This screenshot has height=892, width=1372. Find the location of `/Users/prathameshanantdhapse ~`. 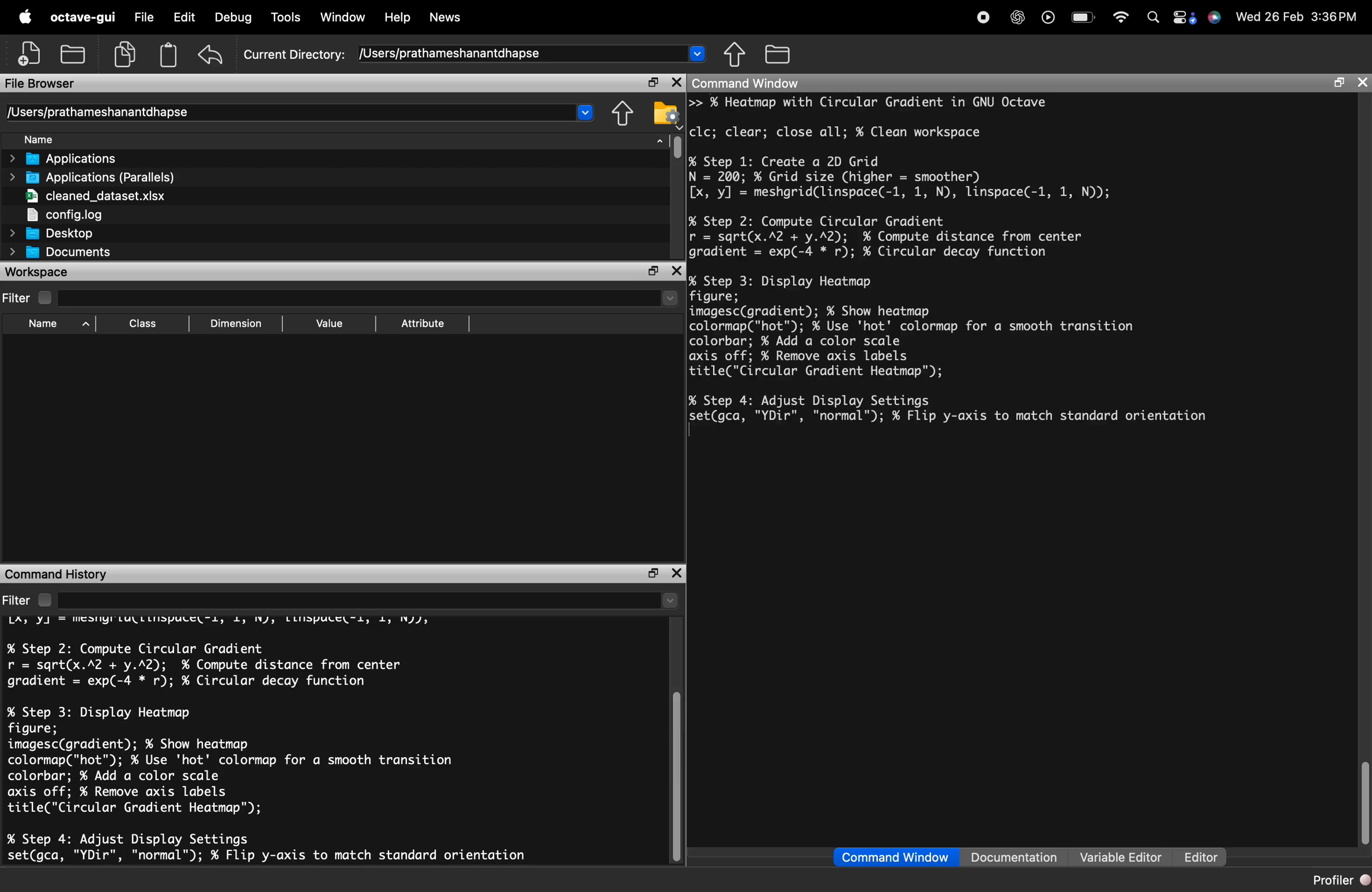

/Users/prathameshanantdhapse ~ is located at coordinates (529, 54).